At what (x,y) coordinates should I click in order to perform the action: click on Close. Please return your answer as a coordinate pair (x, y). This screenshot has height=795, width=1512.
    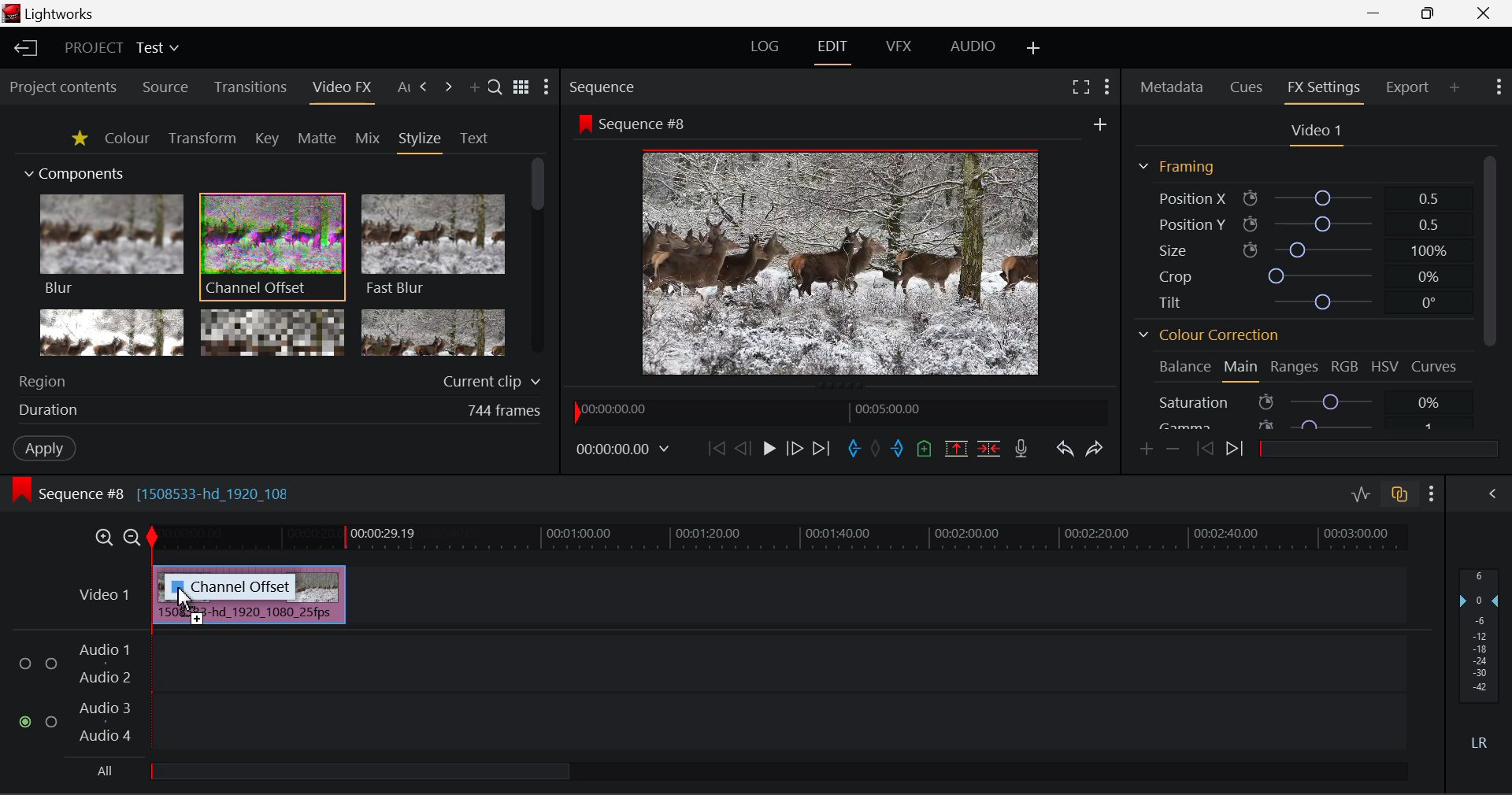
    Looking at the image, I should click on (1483, 14).